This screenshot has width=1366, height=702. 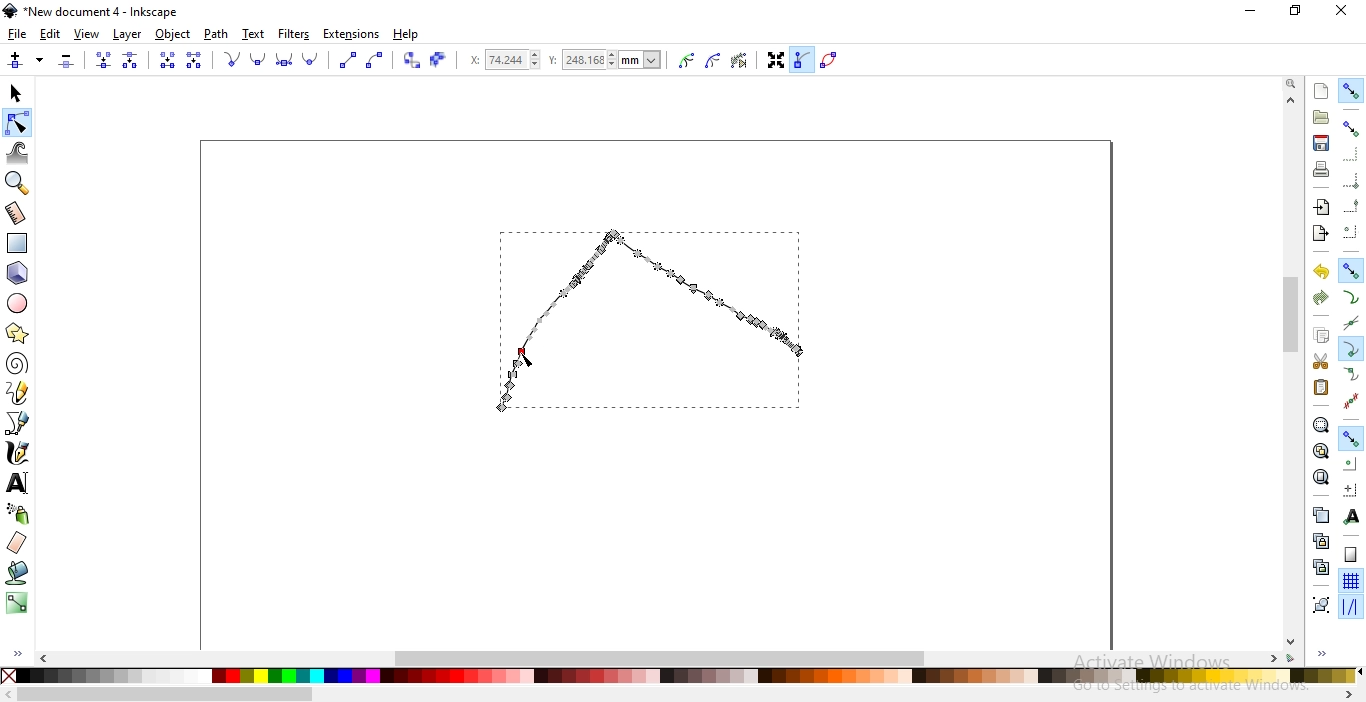 What do you see at coordinates (1350, 297) in the screenshot?
I see `snap to paths` at bounding box center [1350, 297].